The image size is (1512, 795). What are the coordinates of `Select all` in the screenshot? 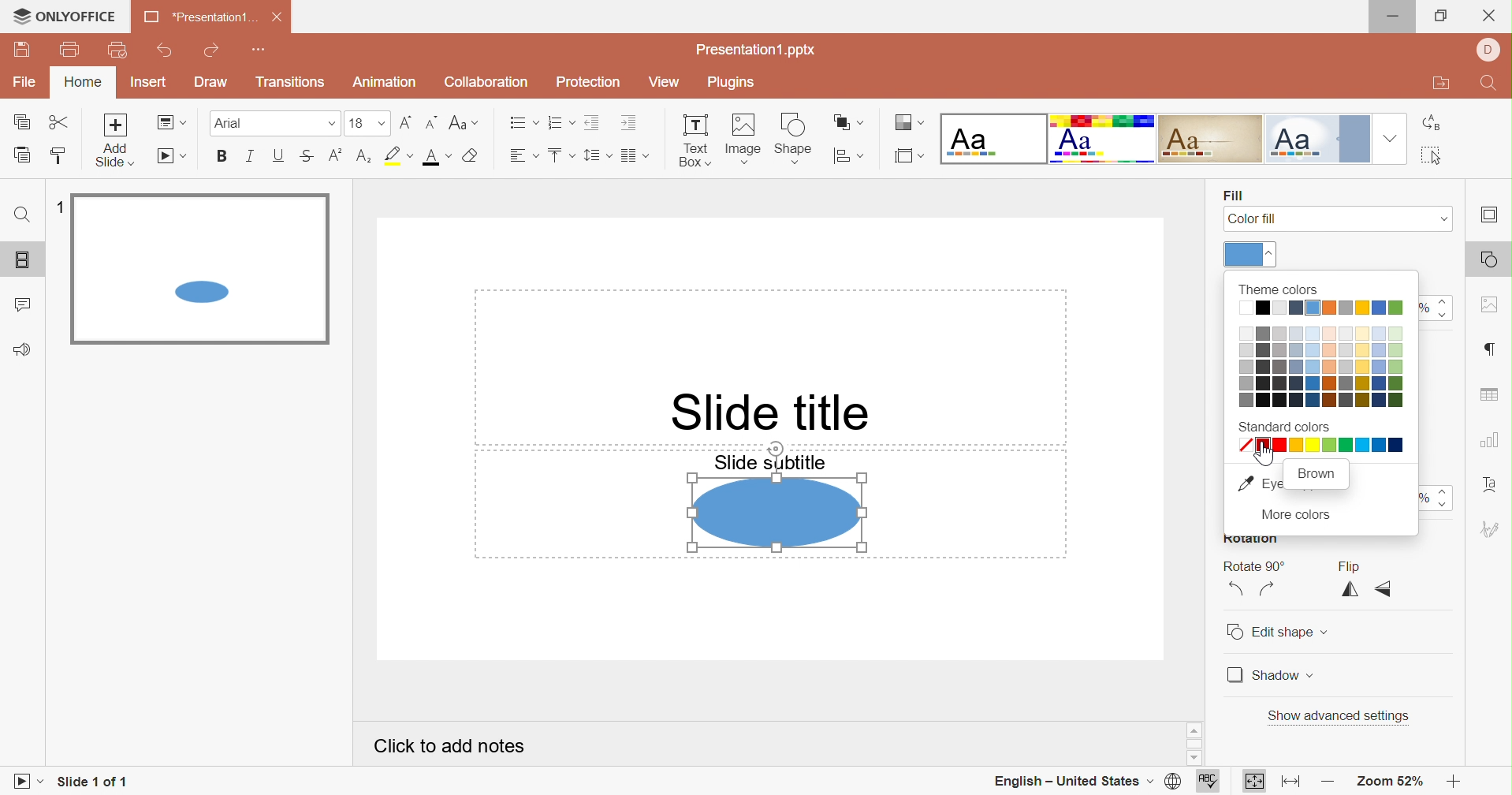 It's located at (1432, 155).